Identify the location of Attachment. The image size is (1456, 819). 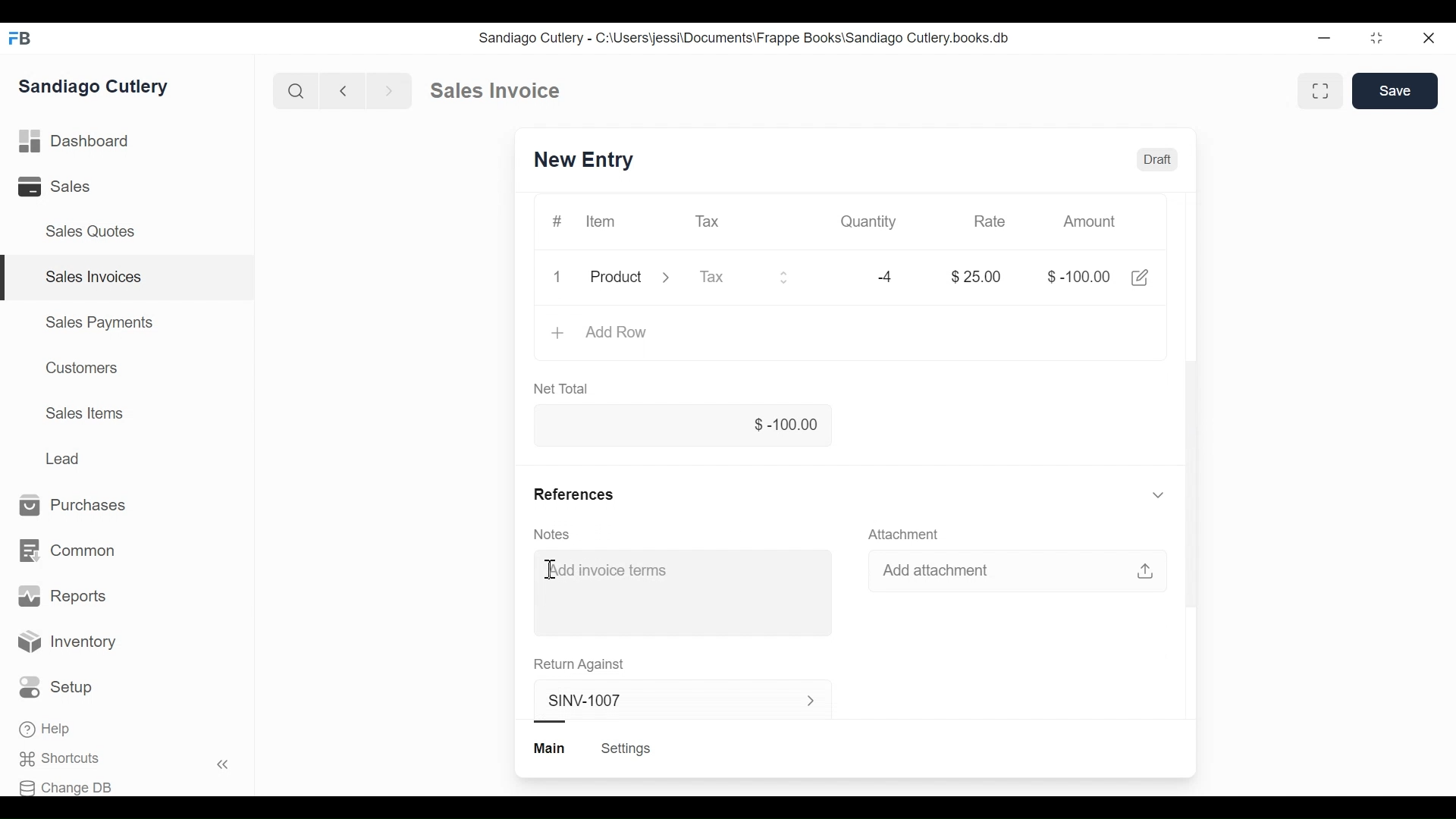
(906, 533).